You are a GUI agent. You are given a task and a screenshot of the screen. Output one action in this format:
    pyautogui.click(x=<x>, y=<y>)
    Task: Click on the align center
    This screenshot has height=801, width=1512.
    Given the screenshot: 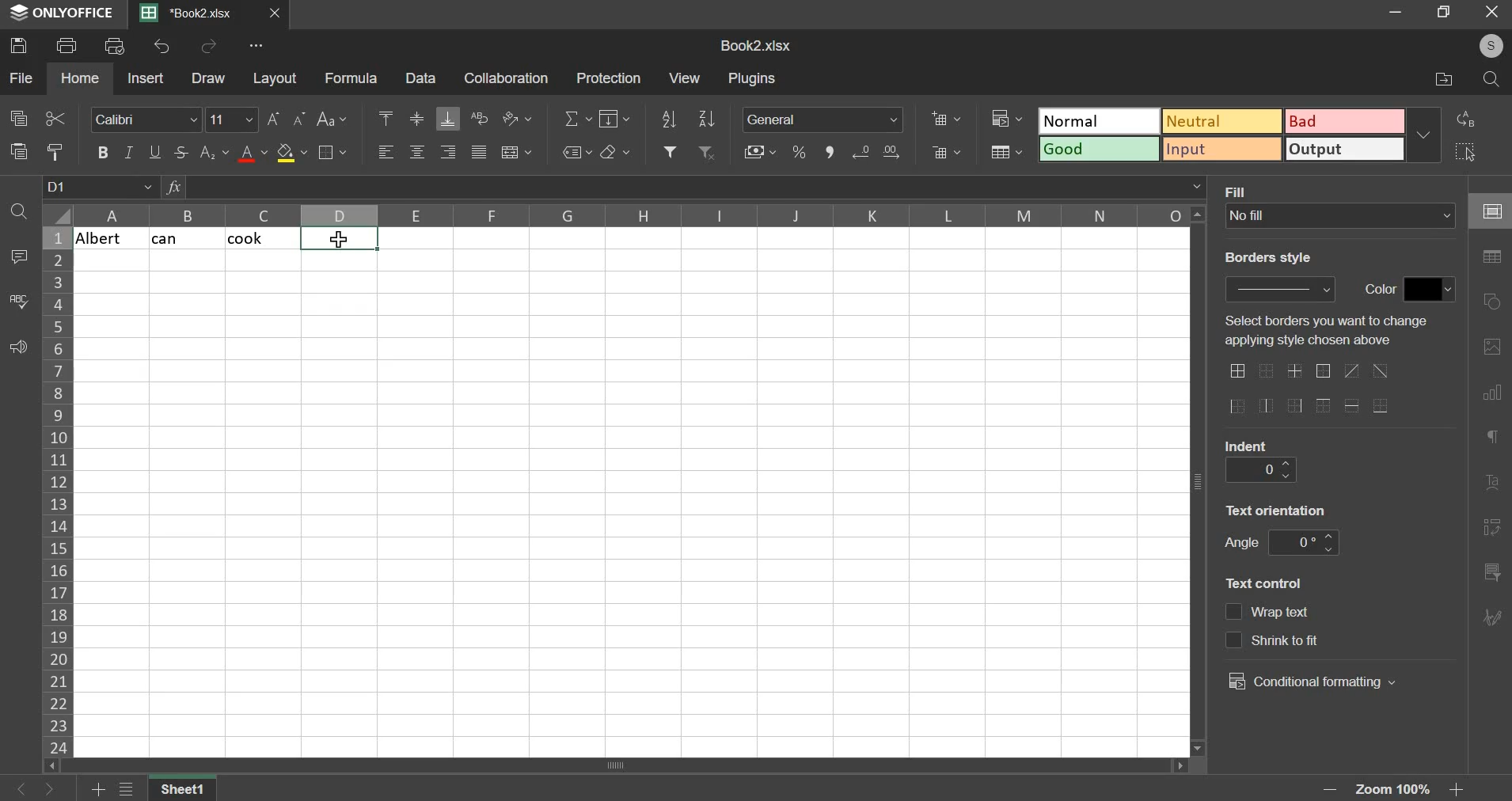 What is the action you would take?
    pyautogui.click(x=417, y=153)
    